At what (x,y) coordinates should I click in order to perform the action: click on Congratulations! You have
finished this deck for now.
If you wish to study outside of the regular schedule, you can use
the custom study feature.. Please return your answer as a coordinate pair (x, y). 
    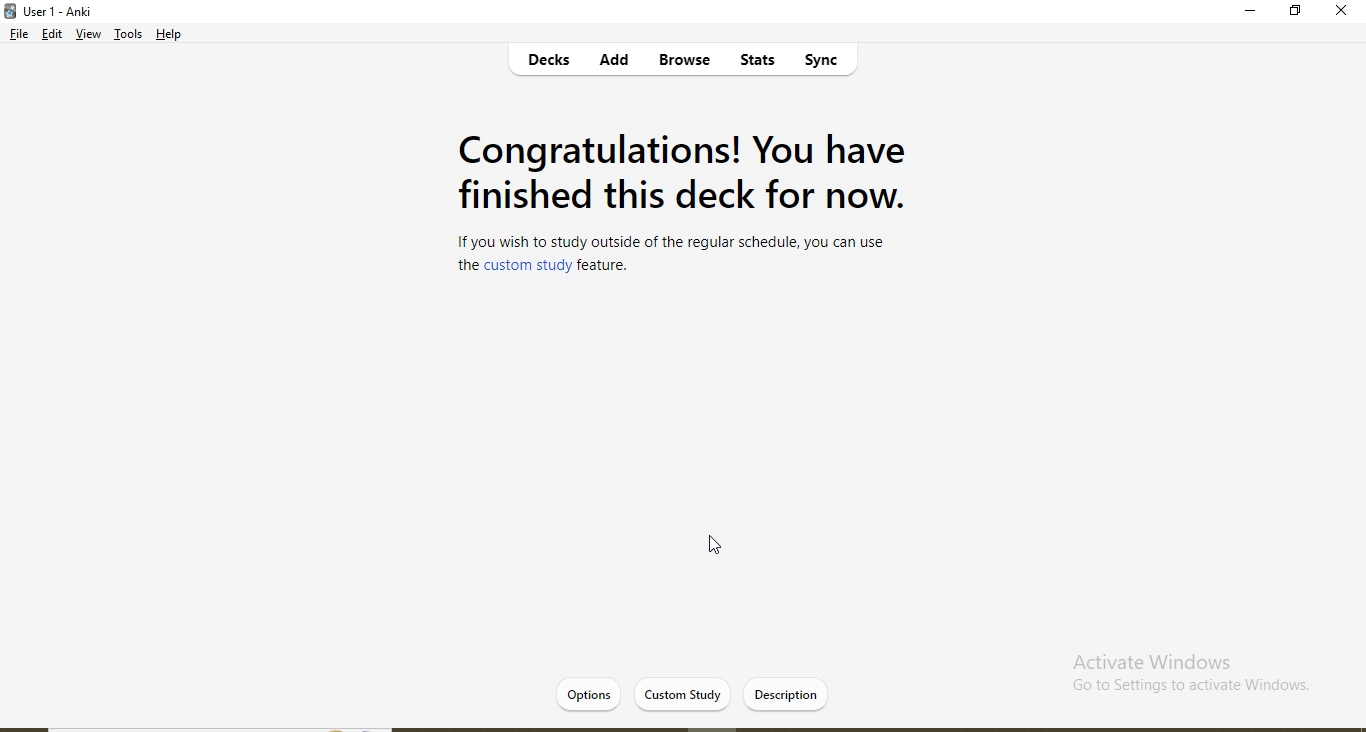
    Looking at the image, I should click on (679, 206).